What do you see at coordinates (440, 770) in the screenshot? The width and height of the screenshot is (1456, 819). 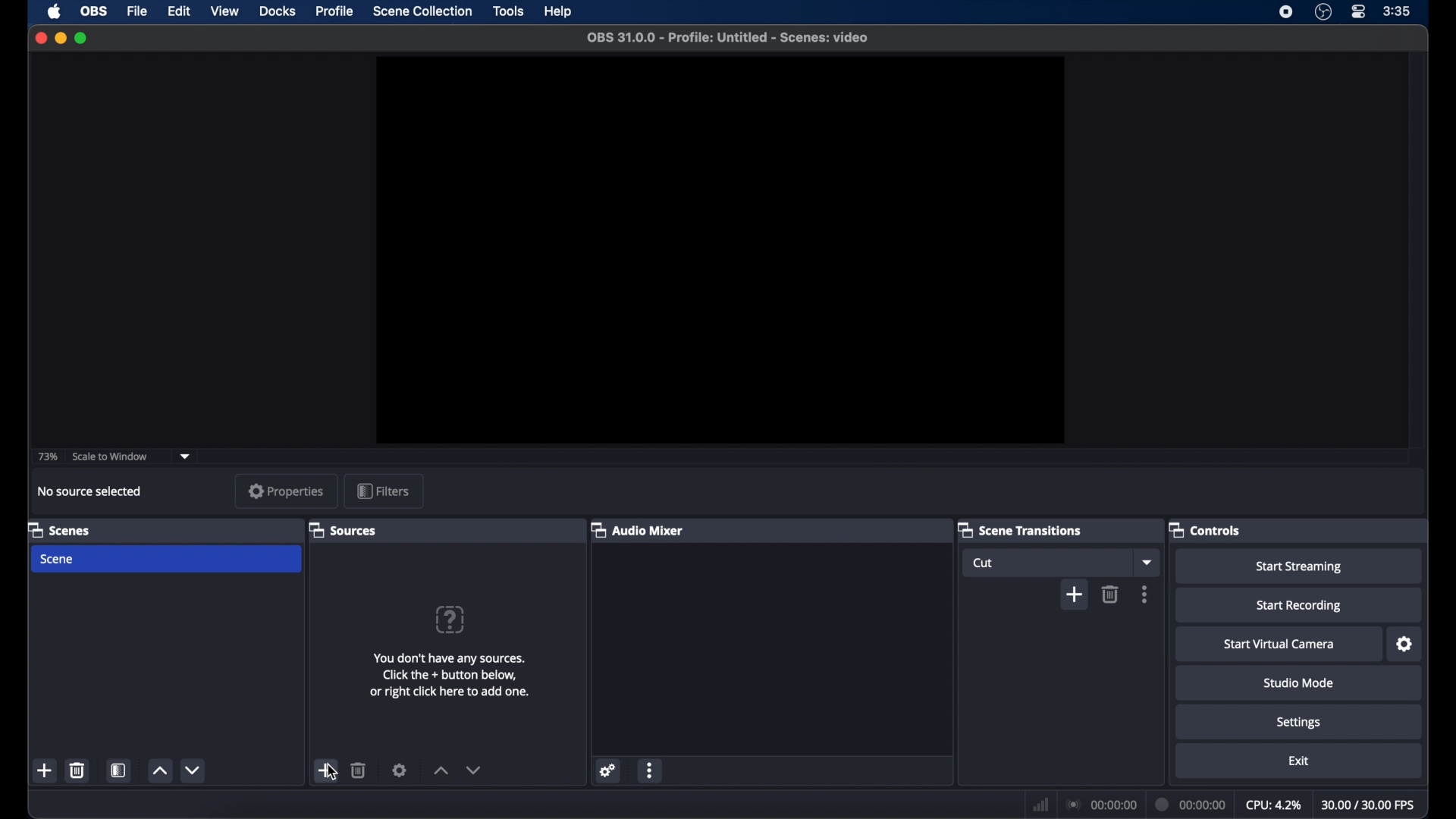 I see `increment` at bounding box center [440, 770].